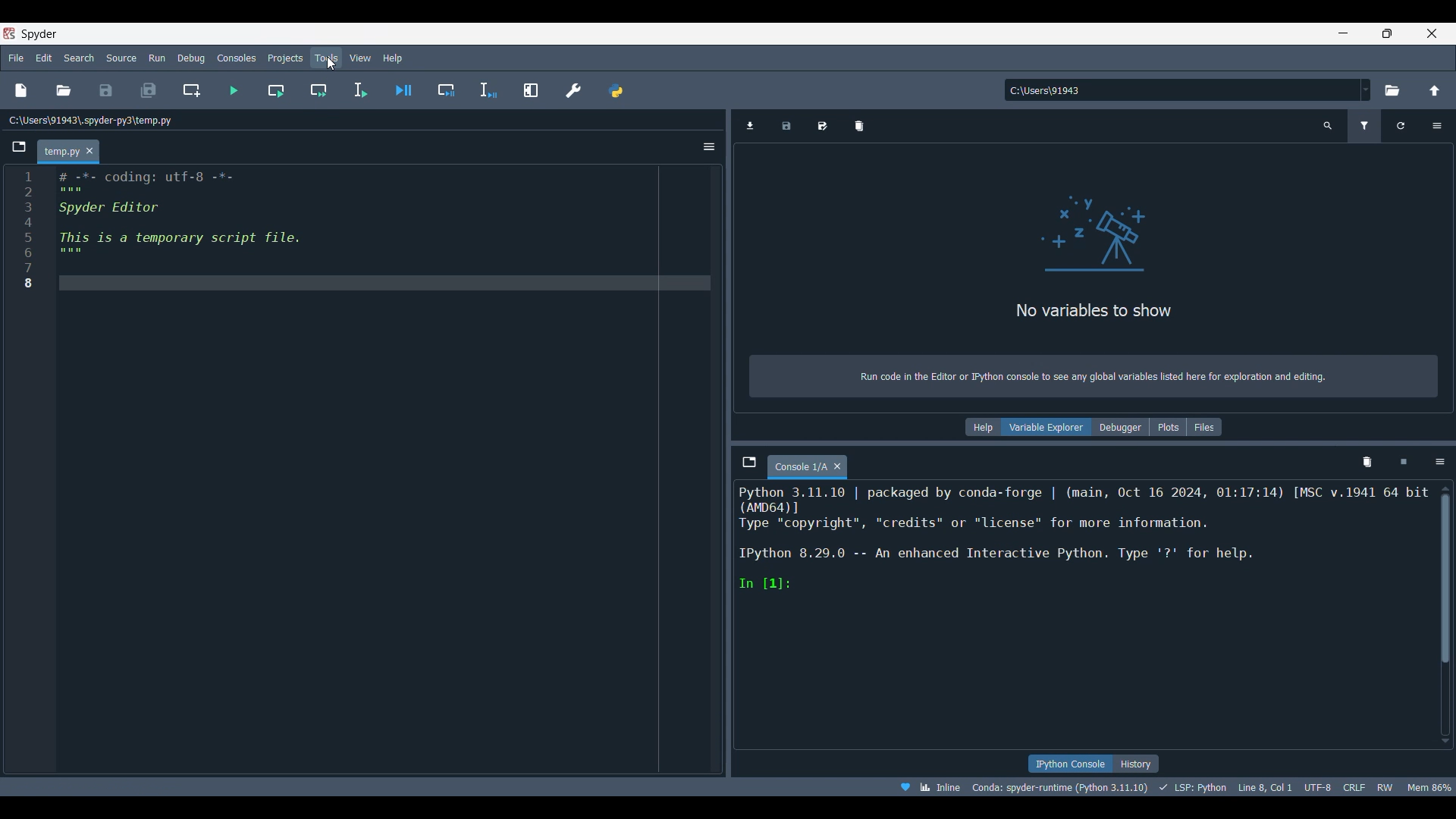  I want to click on Debug cell, so click(447, 90).